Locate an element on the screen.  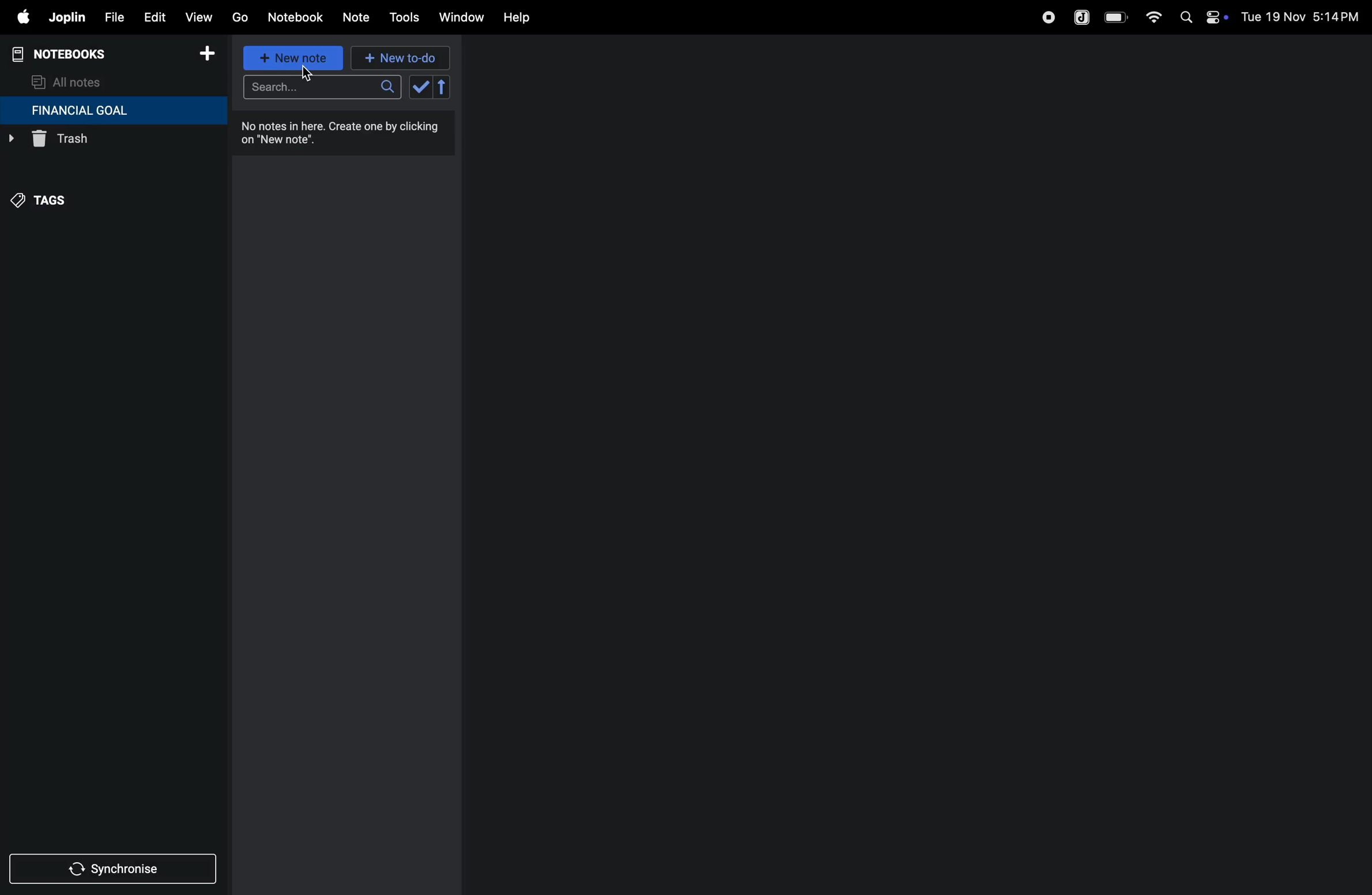
apple menu is located at coordinates (17, 17).